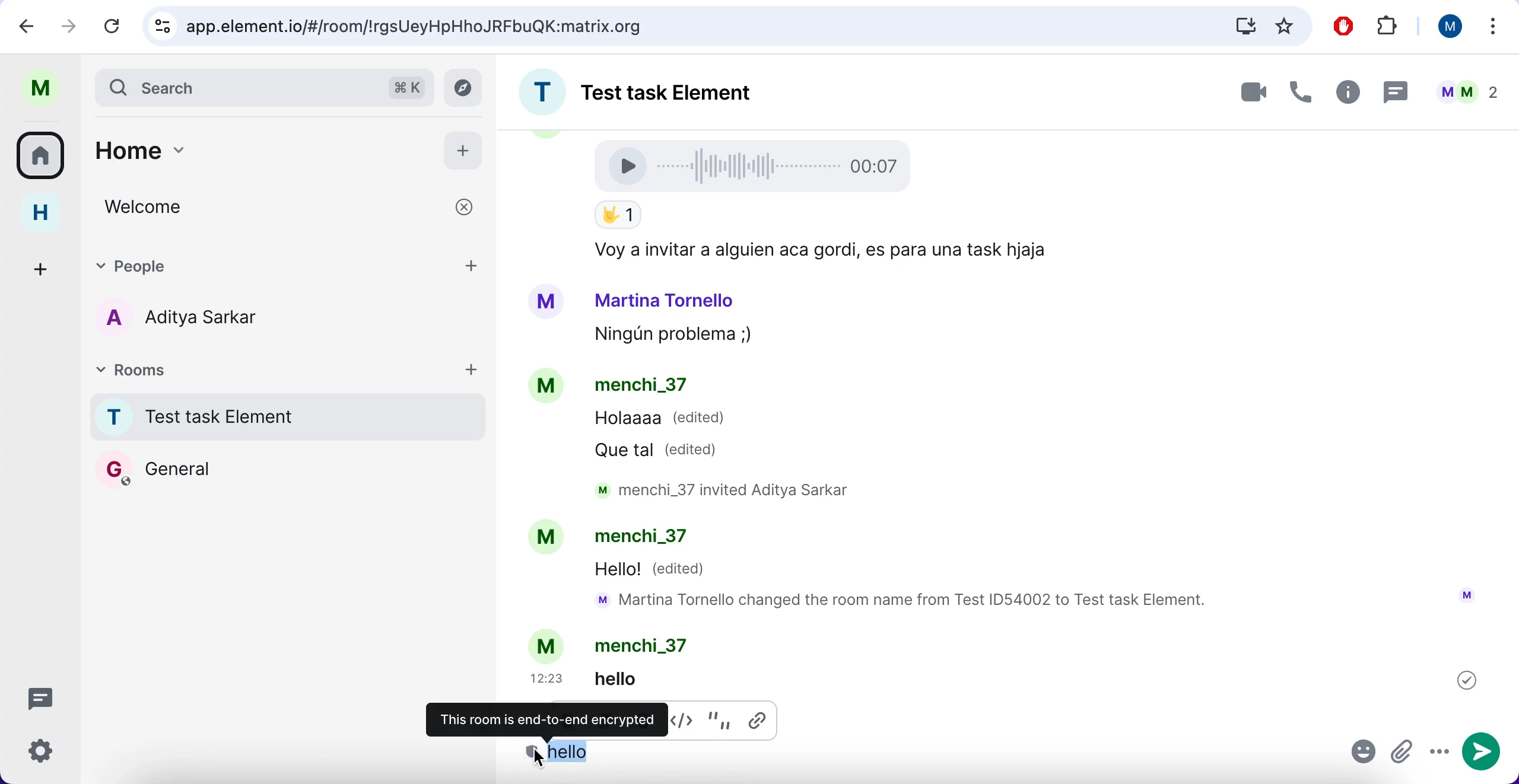  I want to click on attachment, so click(1403, 753).